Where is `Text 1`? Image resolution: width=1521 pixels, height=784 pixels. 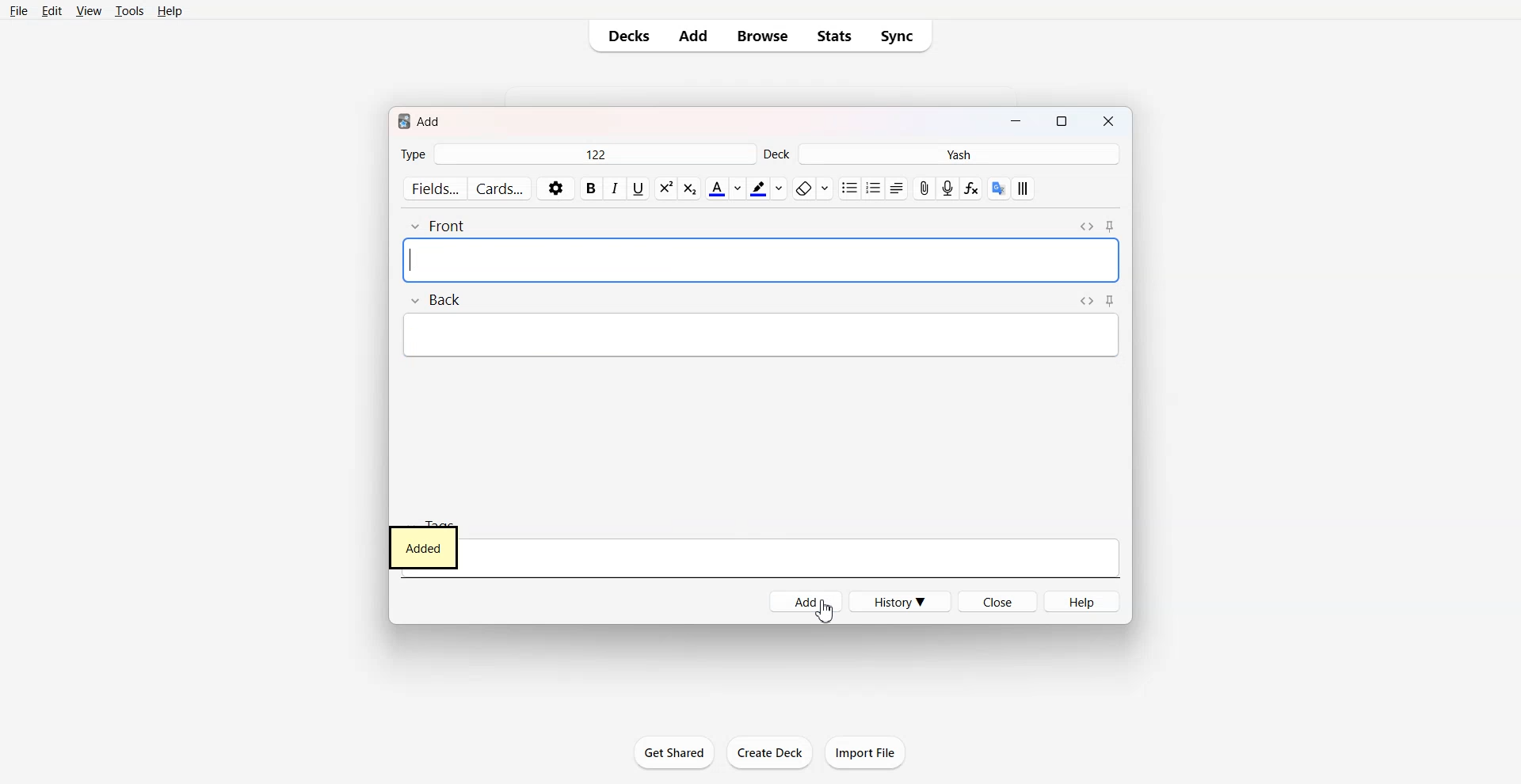 Text 1 is located at coordinates (421, 120).